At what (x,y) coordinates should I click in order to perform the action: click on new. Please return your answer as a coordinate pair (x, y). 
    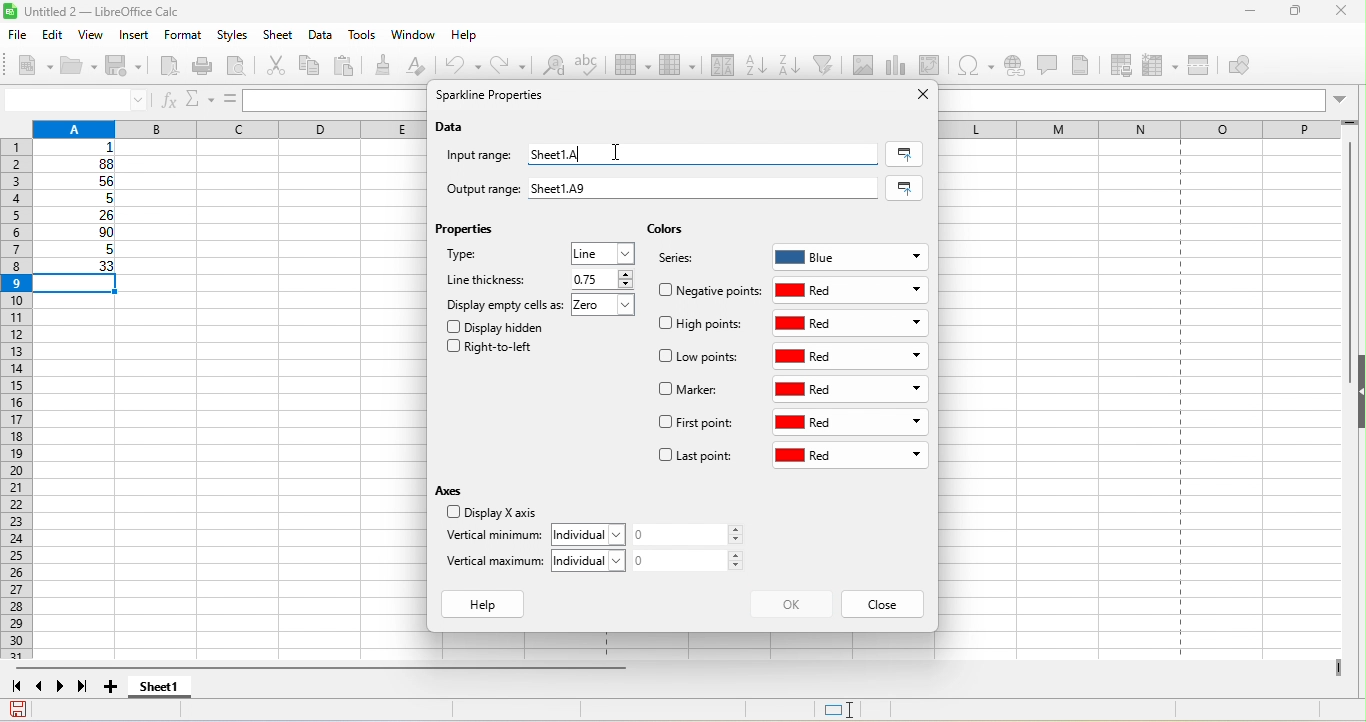
    Looking at the image, I should click on (28, 64).